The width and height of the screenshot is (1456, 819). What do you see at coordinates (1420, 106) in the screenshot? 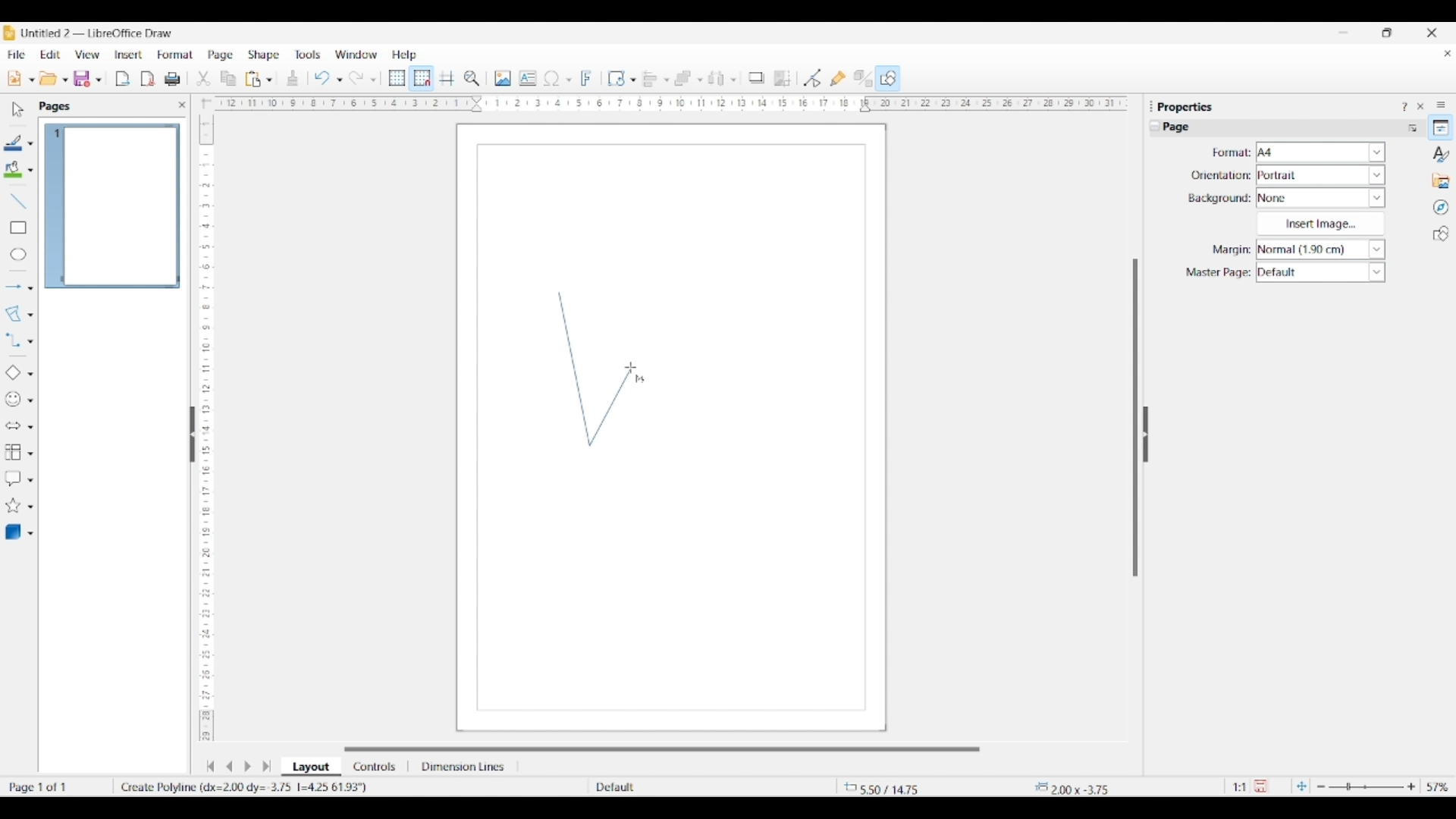
I see `Close sidebar deck` at bounding box center [1420, 106].